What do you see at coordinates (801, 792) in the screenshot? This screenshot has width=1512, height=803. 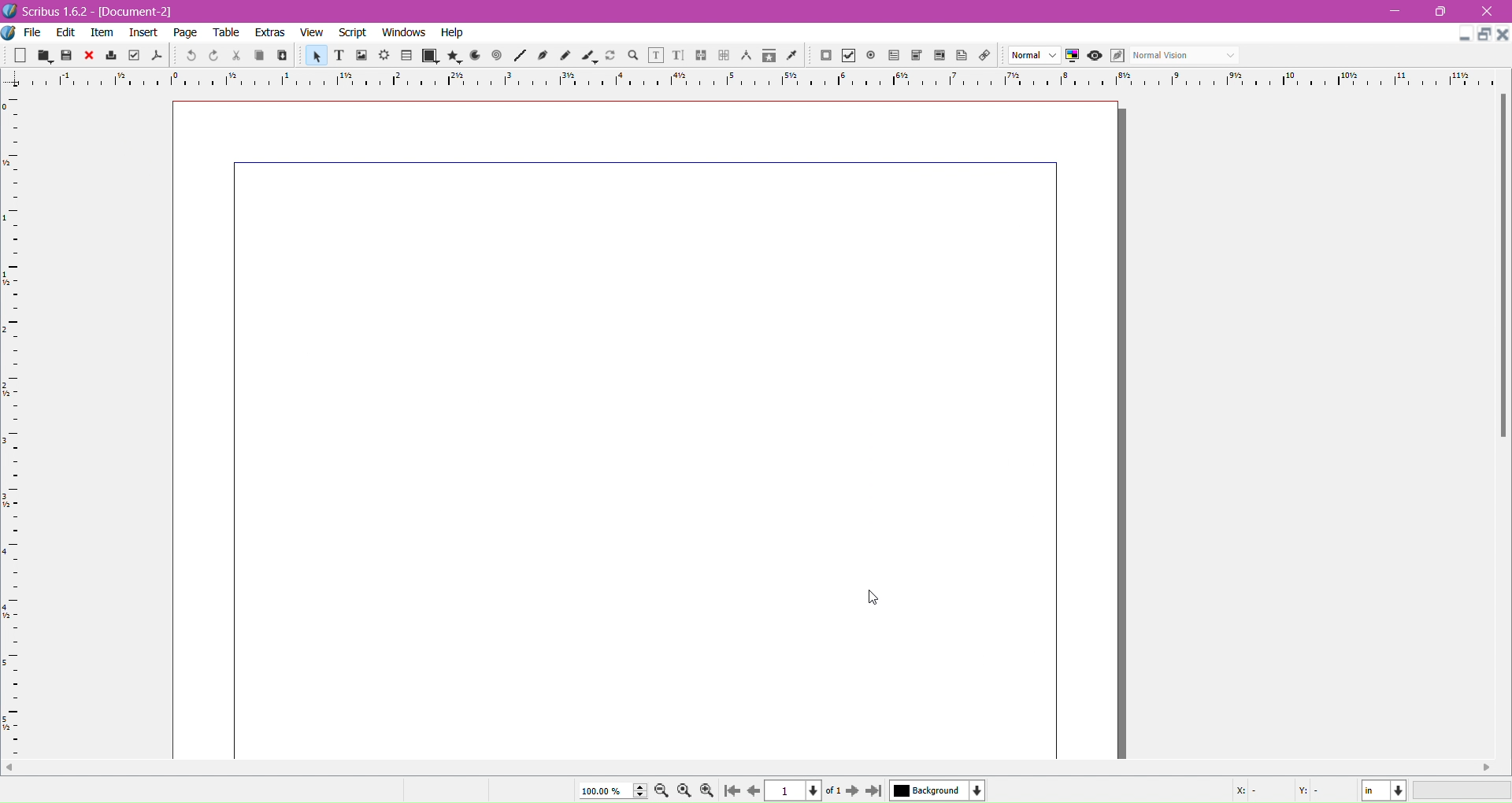 I see `page number` at bounding box center [801, 792].